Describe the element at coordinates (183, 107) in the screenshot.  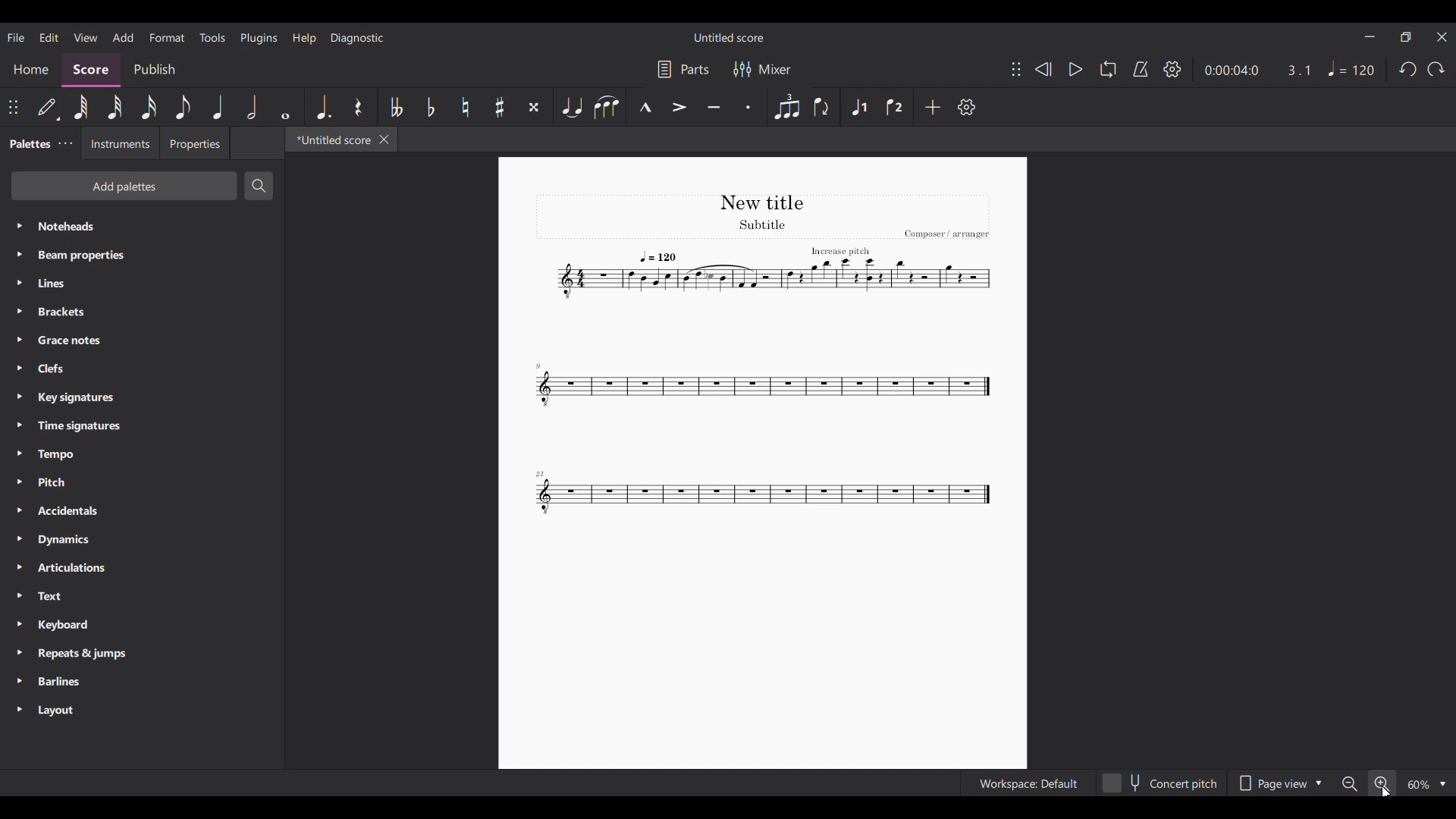
I see `8th note` at that location.